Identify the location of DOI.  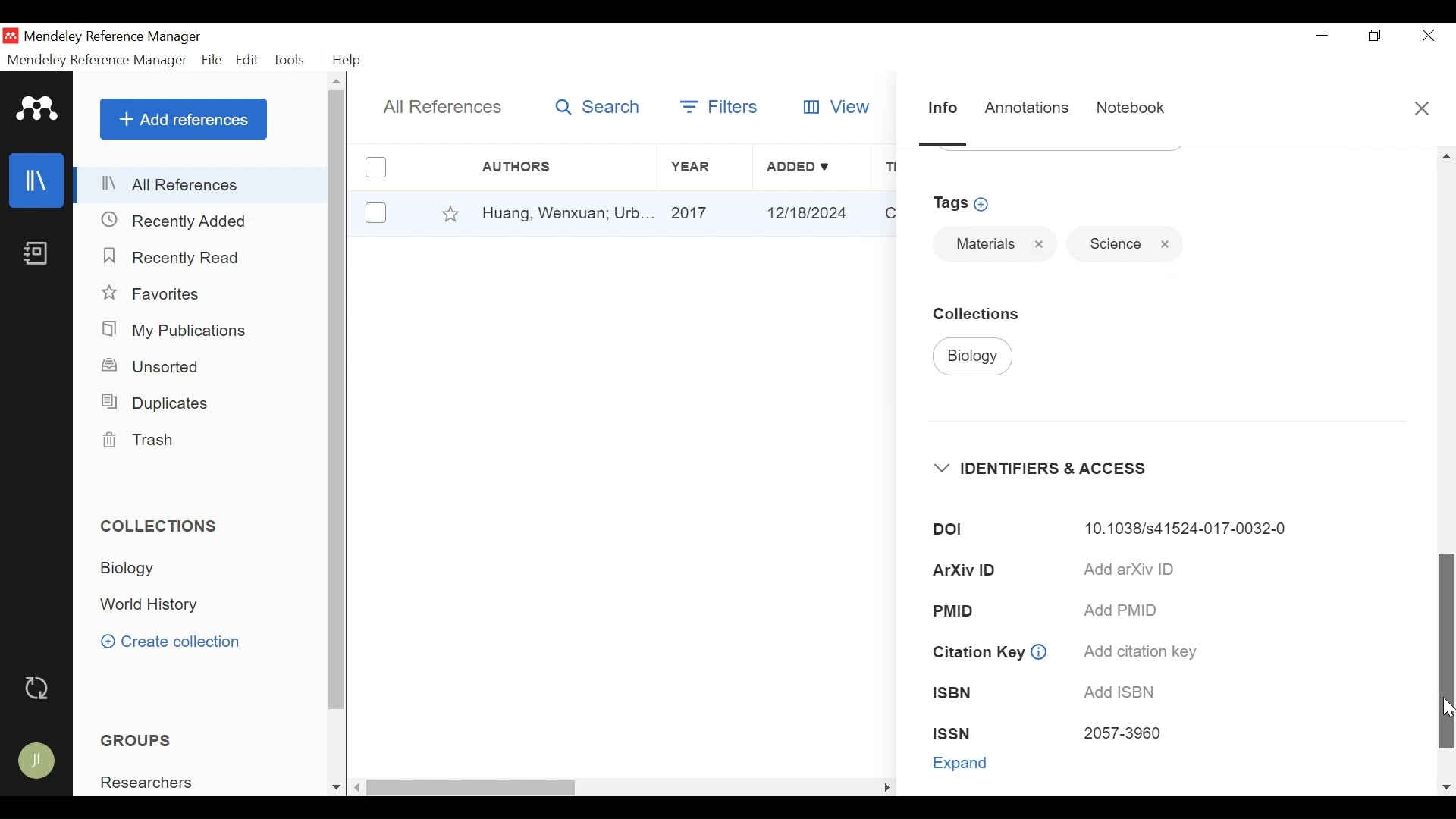
(947, 530).